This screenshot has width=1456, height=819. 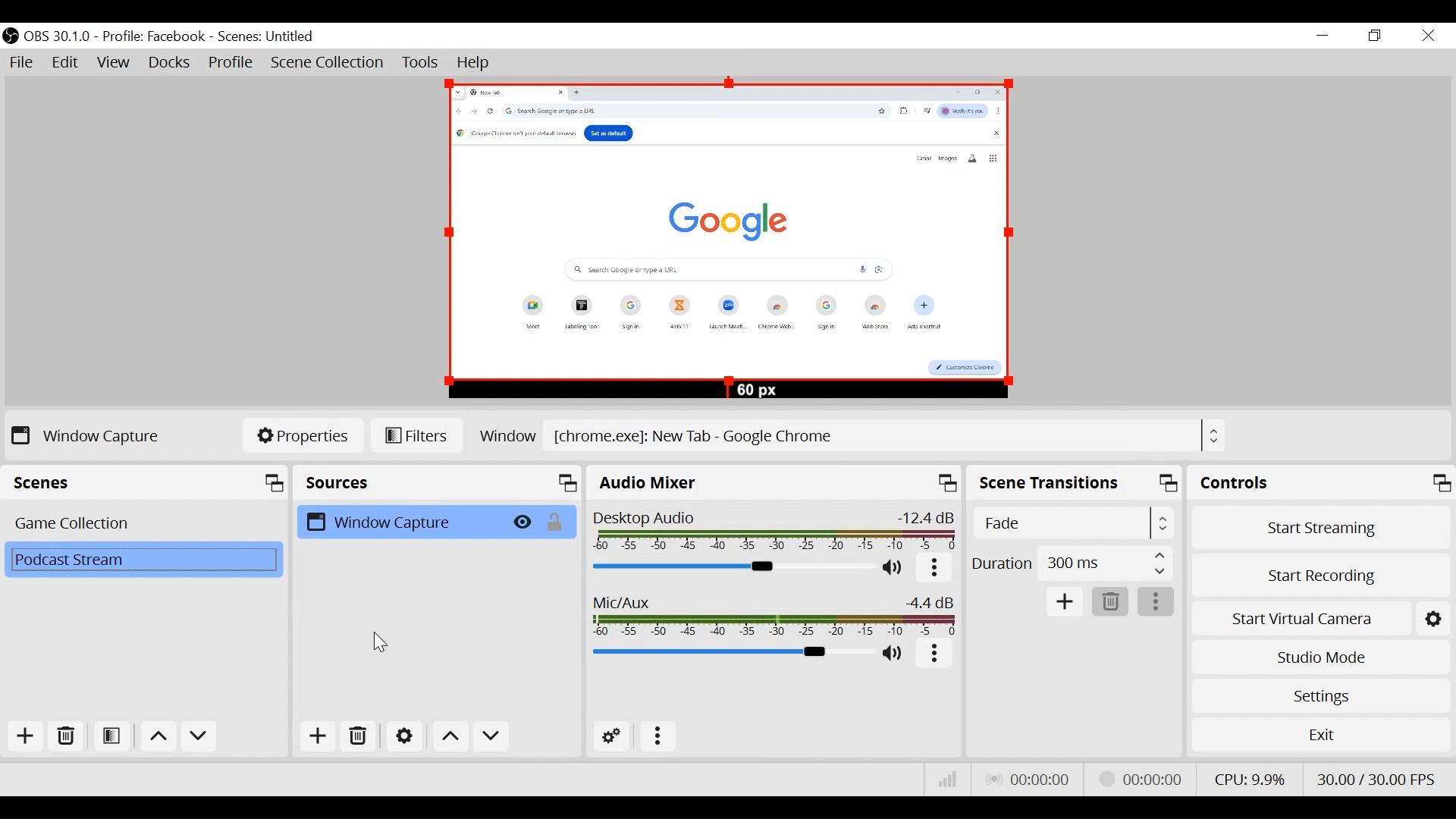 What do you see at coordinates (453, 737) in the screenshot?
I see `move up` at bounding box center [453, 737].